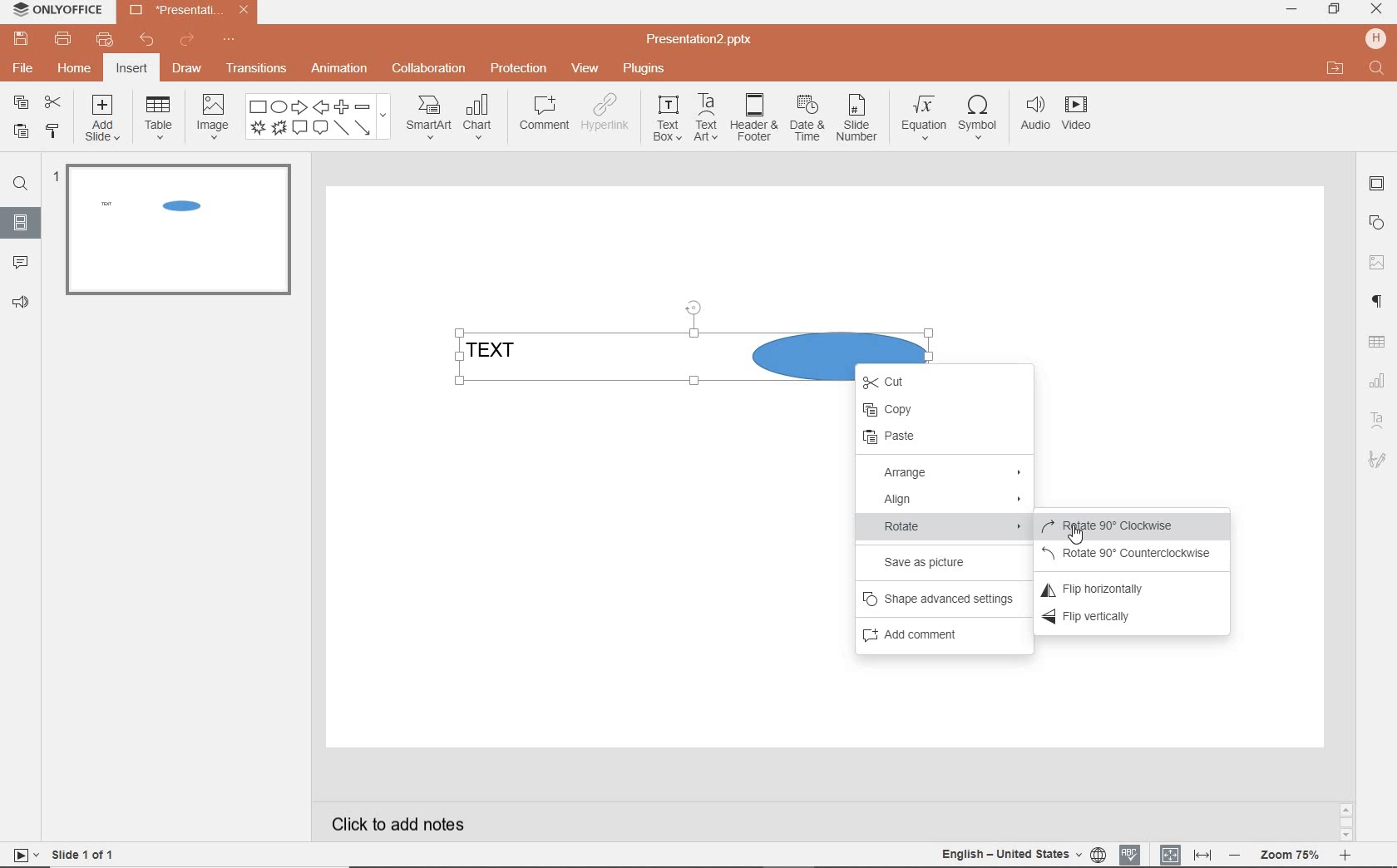 The height and width of the screenshot is (868, 1397). I want to click on chart, so click(481, 116).